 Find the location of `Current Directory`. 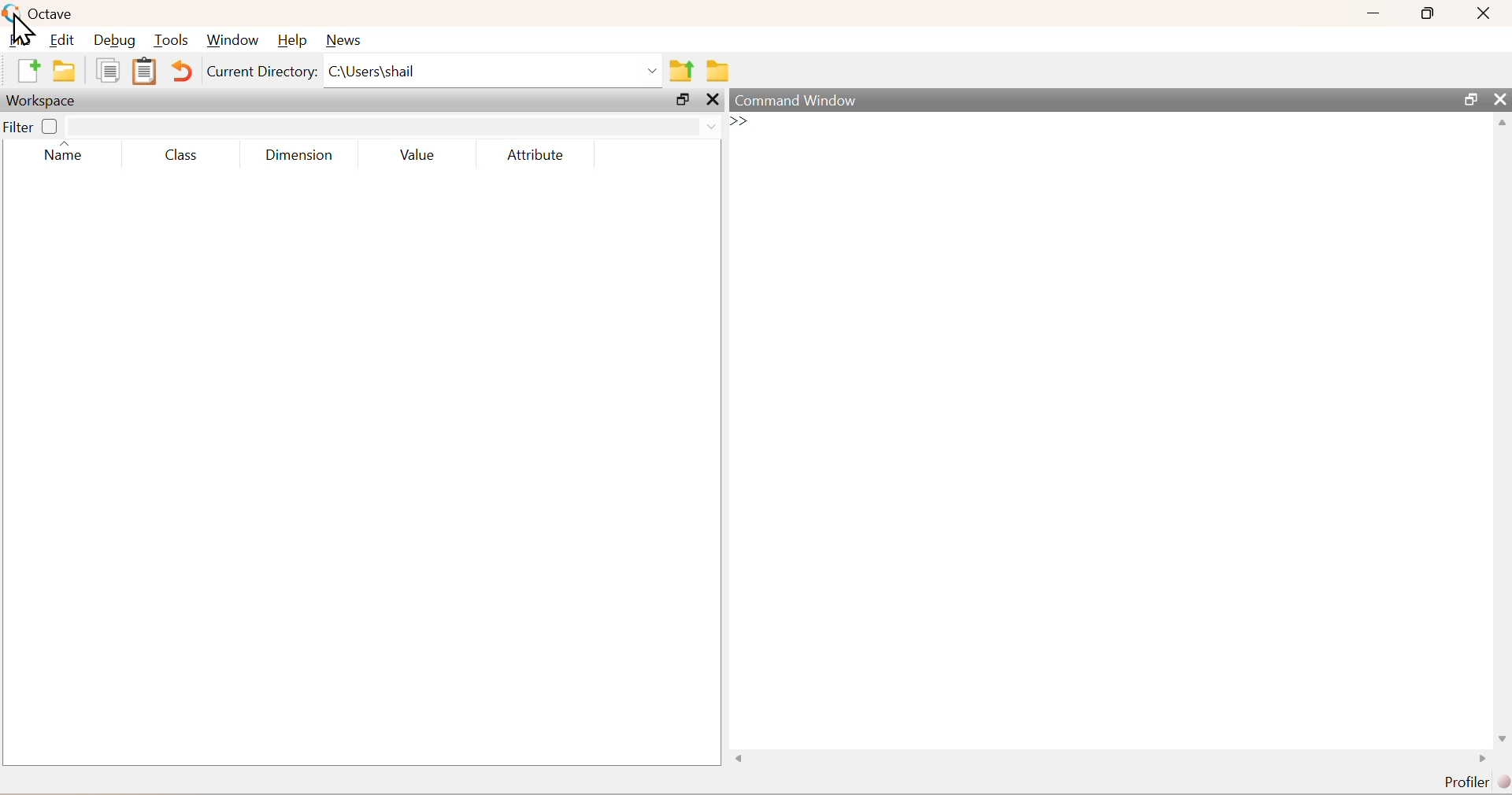

Current Directory is located at coordinates (262, 72).